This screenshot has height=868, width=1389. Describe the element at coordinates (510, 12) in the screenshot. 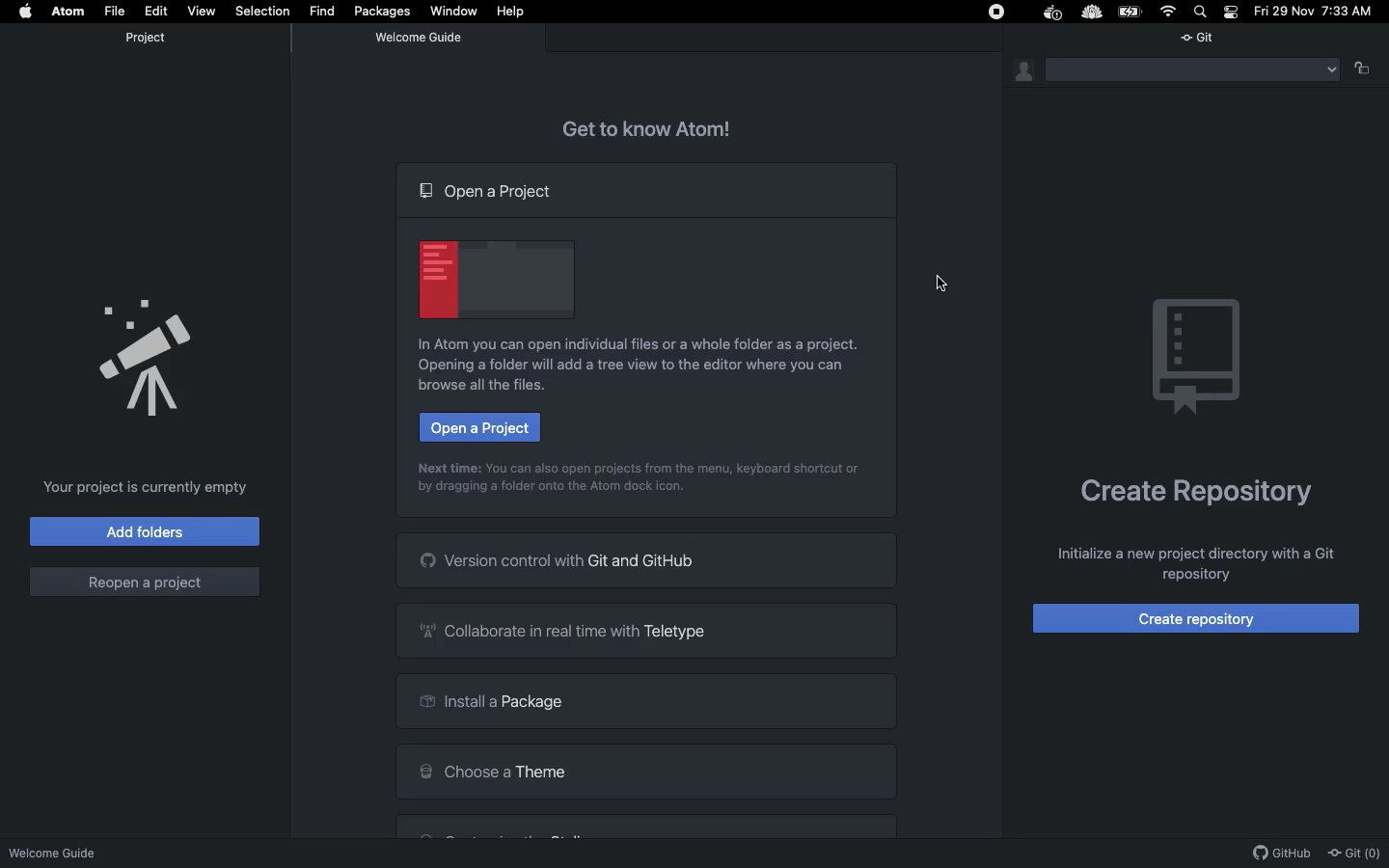

I see `Help` at that location.